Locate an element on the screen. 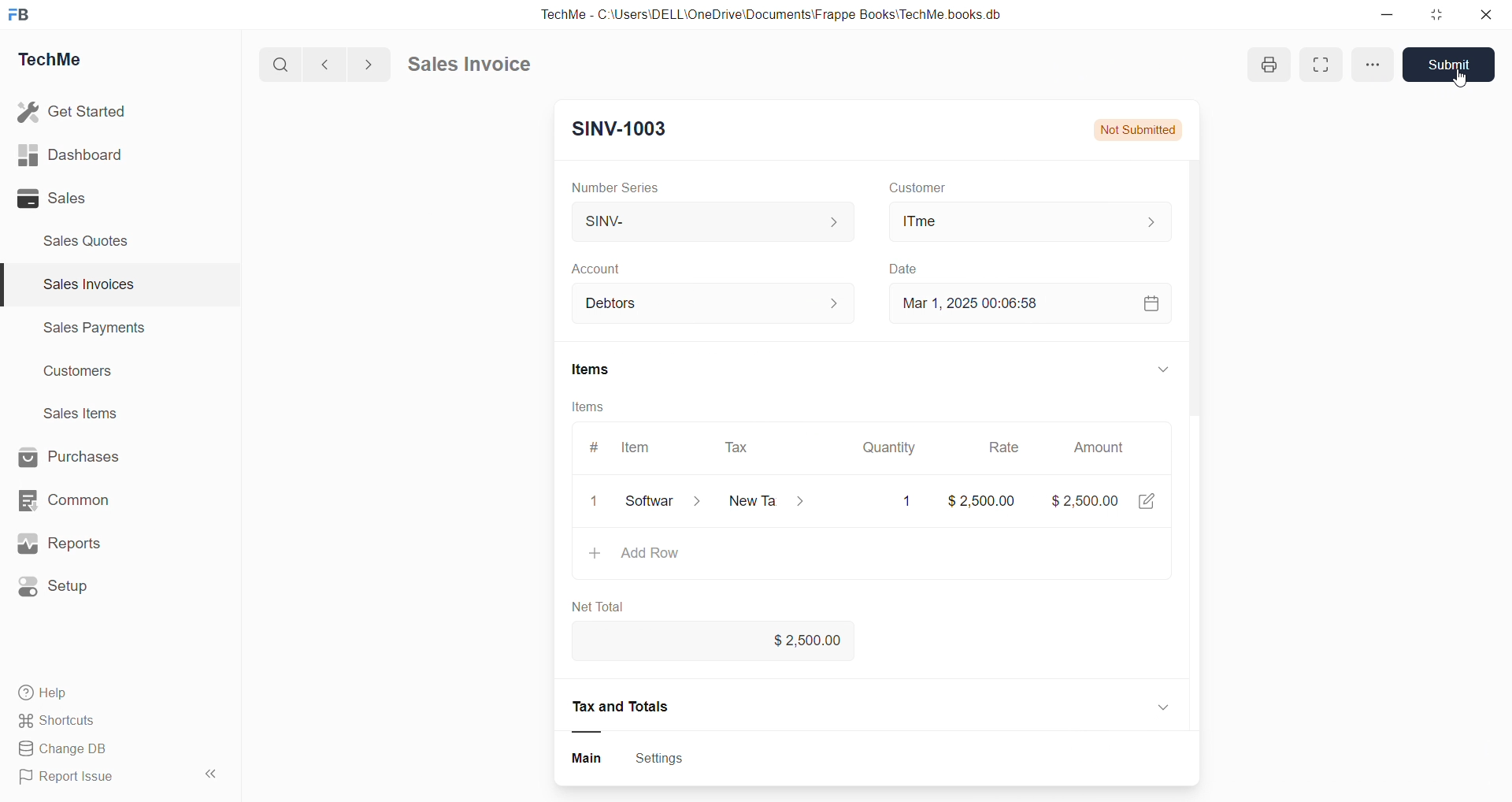  Rate is located at coordinates (1006, 447).